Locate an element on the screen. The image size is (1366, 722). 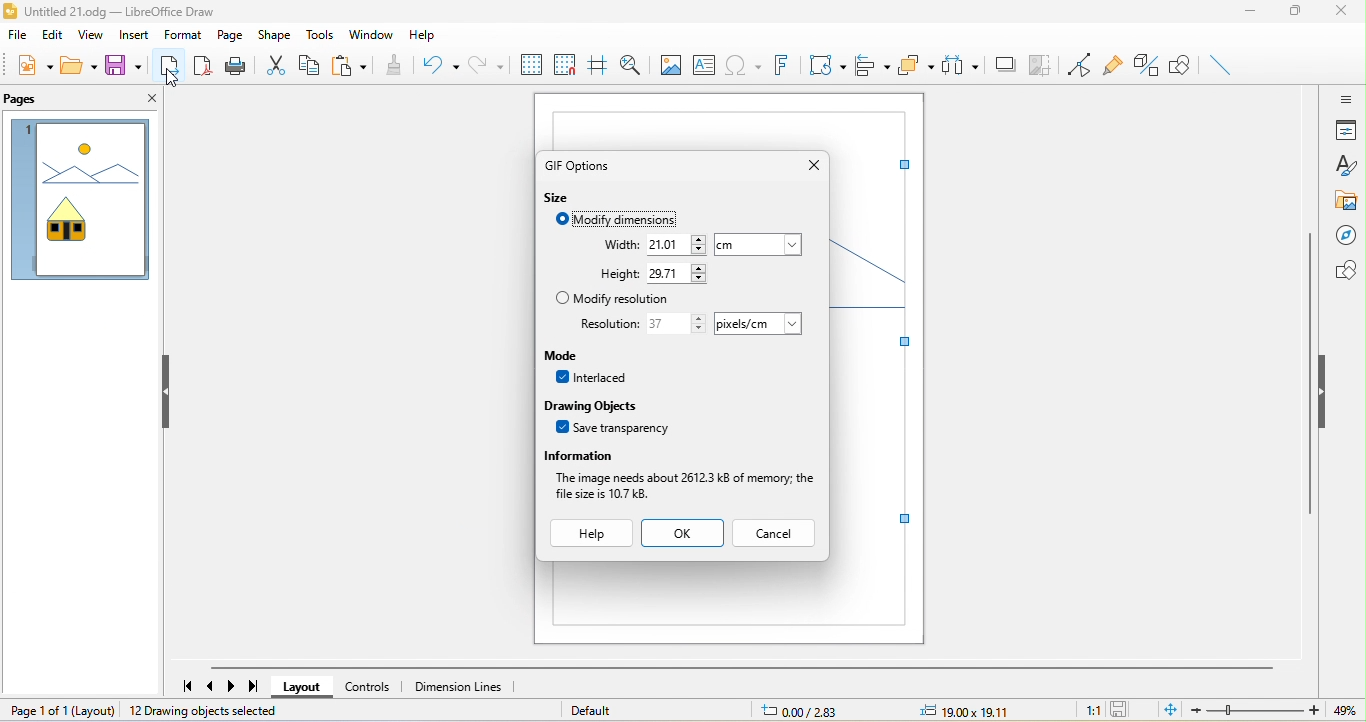
37 is located at coordinates (677, 324).